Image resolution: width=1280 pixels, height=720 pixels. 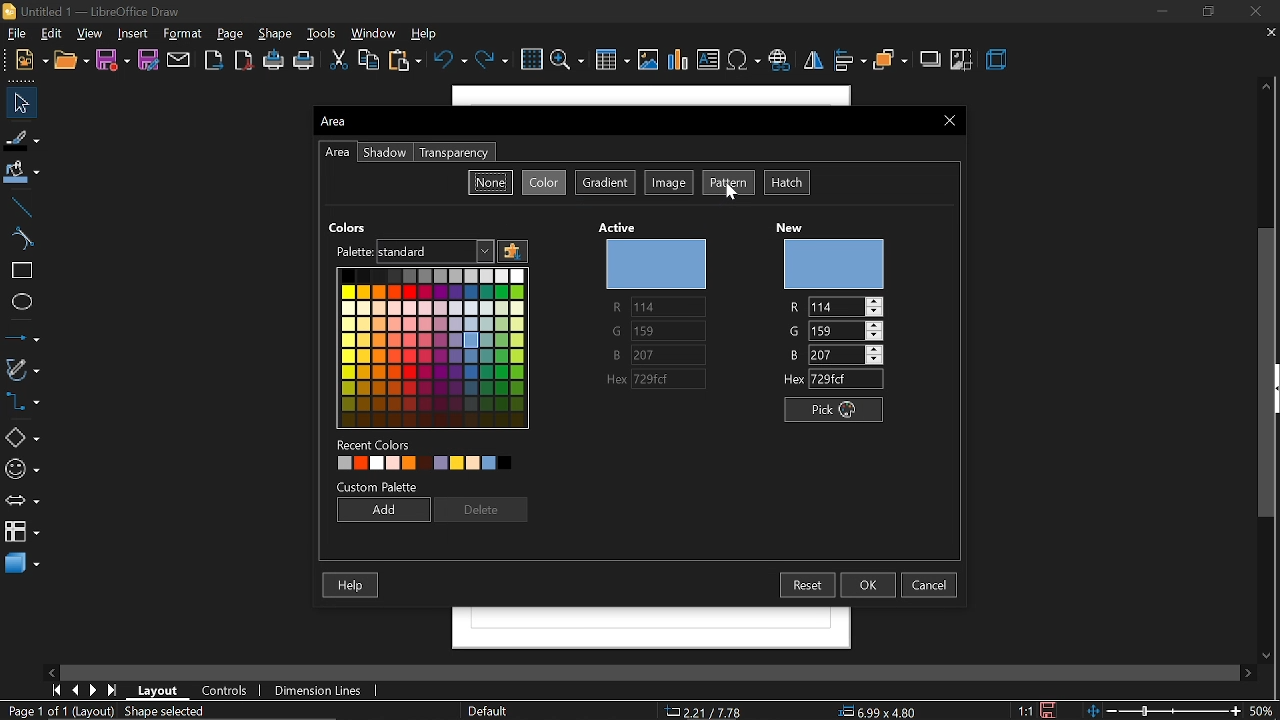 What do you see at coordinates (112, 689) in the screenshot?
I see `go to last page` at bounding box center [112, 689].